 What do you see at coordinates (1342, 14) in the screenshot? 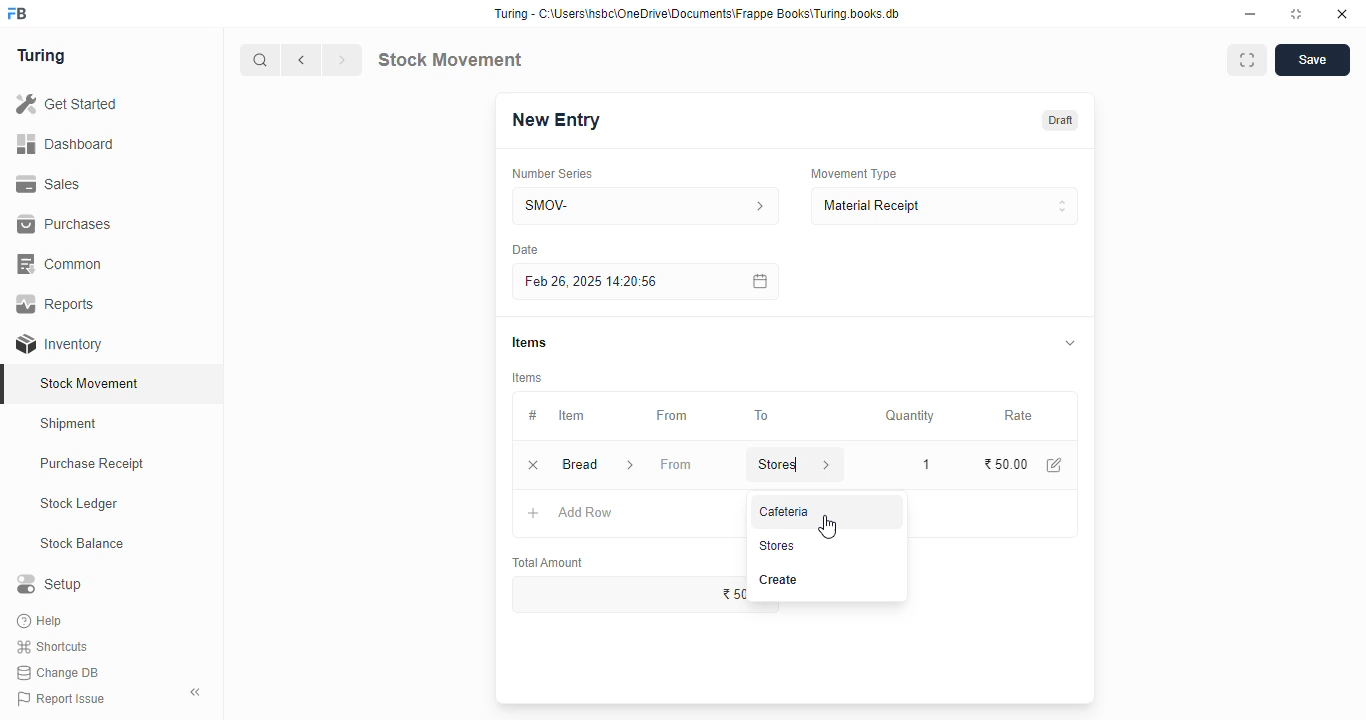
I see `close` at bounding box center [1342, 14].